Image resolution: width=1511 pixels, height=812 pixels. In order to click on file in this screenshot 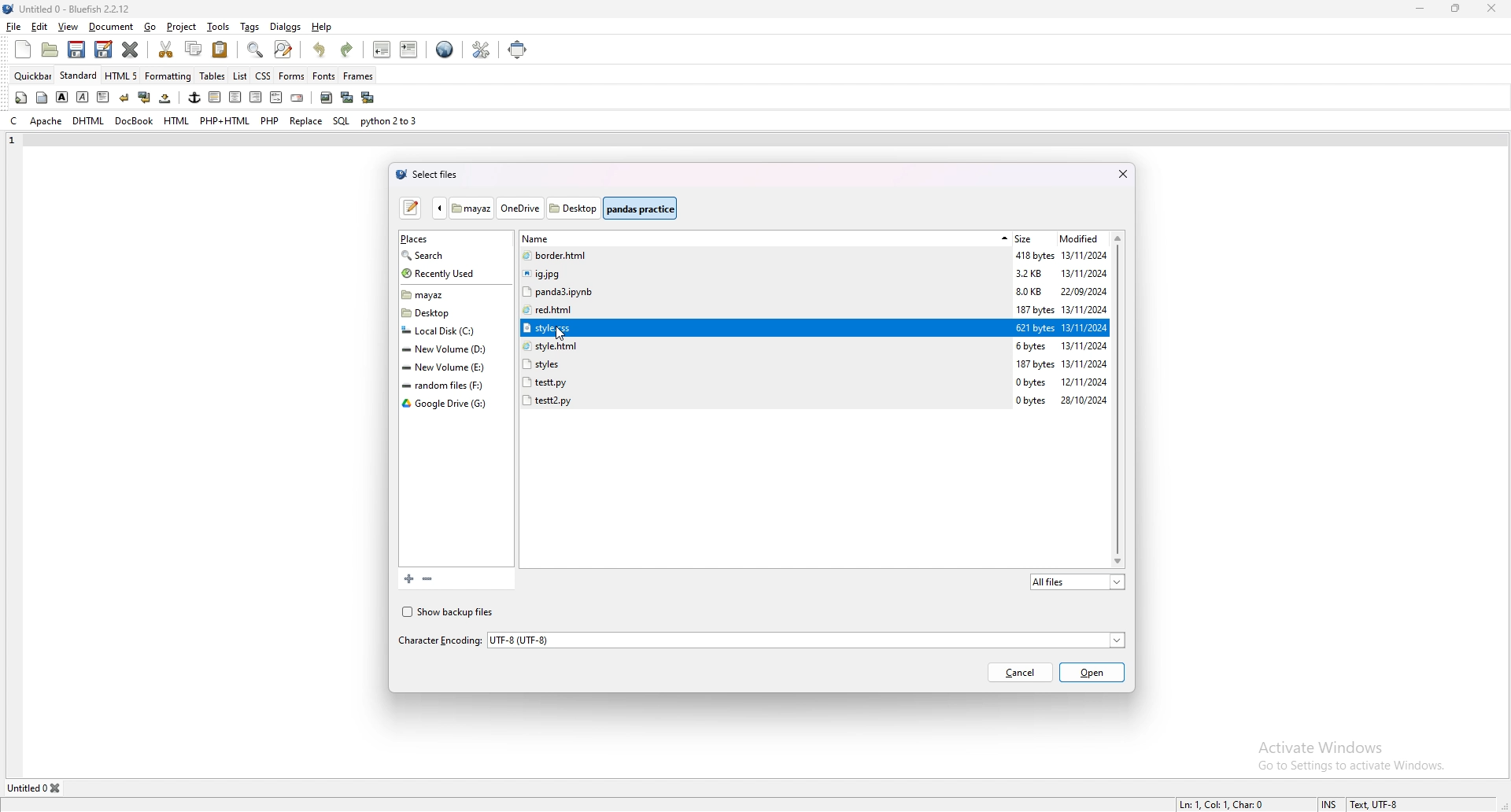, I will do `click(14, 26)`.